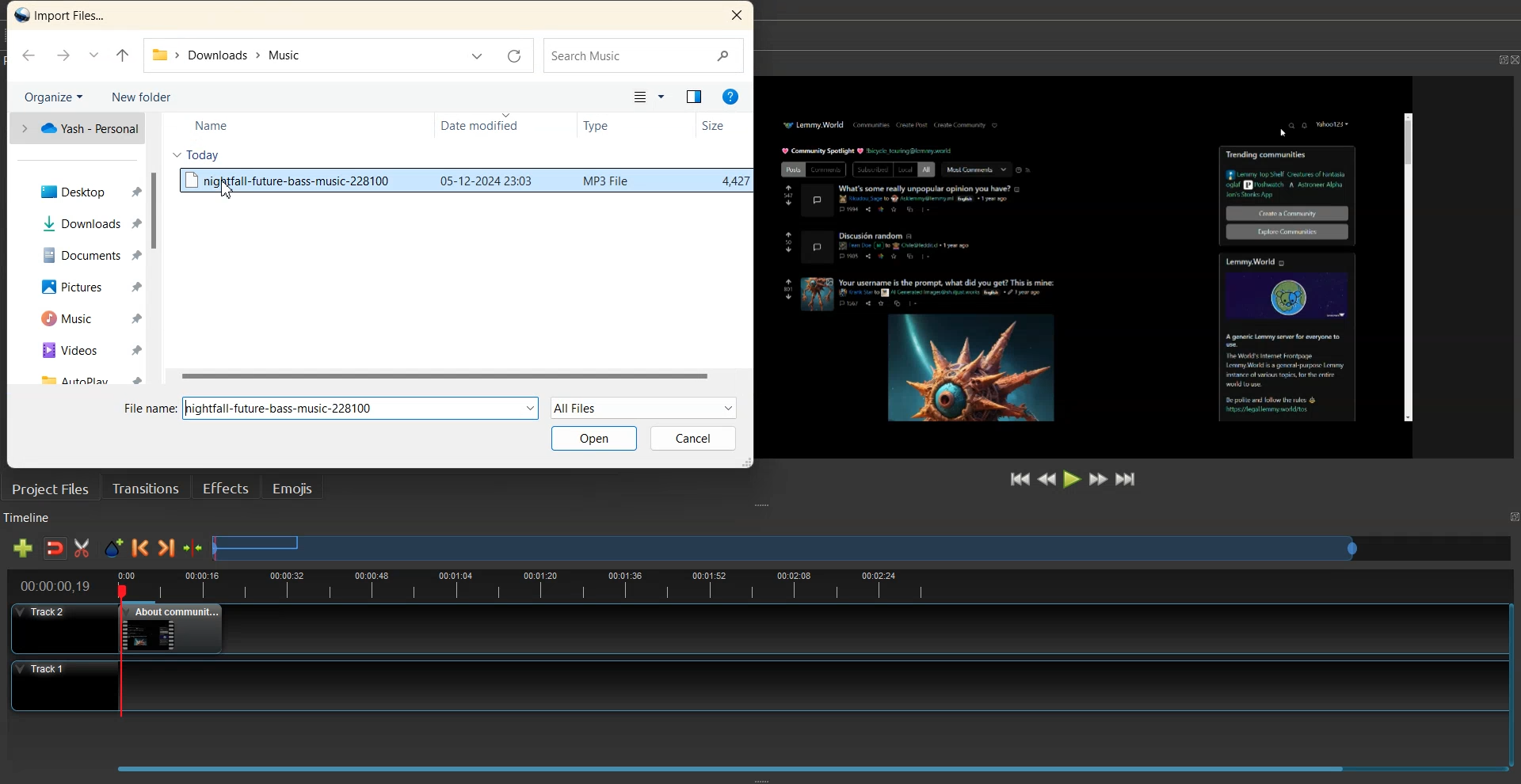 Image resolution: width=1521 pixels, height=784 pixels. Describe the element at coordinates (53, 96) in the screenshot. I see `Organize` at that location.